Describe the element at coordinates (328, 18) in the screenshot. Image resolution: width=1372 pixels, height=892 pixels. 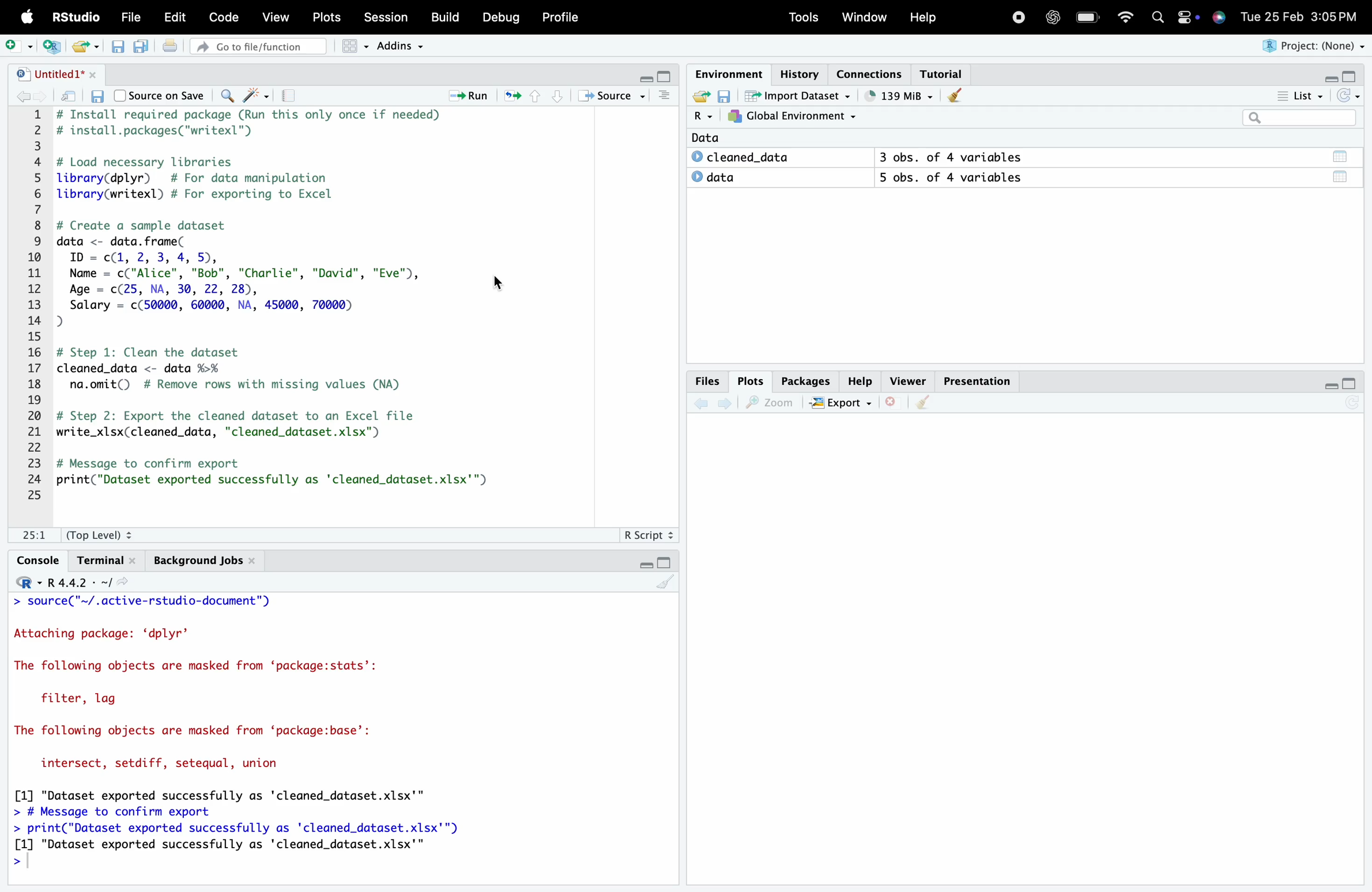
I see `Posts` at that location.